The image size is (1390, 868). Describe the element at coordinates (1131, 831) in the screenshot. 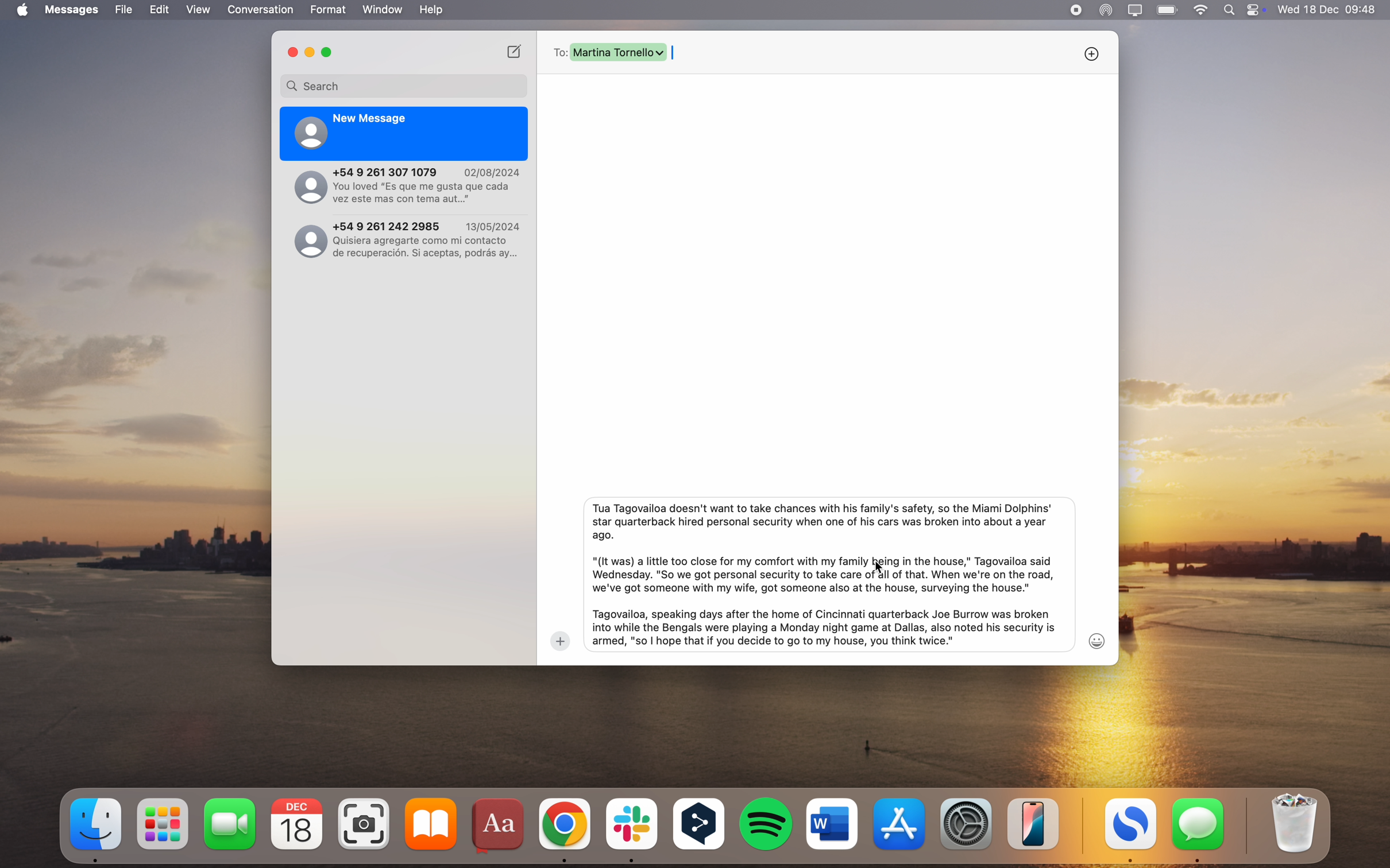

I see `simplenote` at that location.